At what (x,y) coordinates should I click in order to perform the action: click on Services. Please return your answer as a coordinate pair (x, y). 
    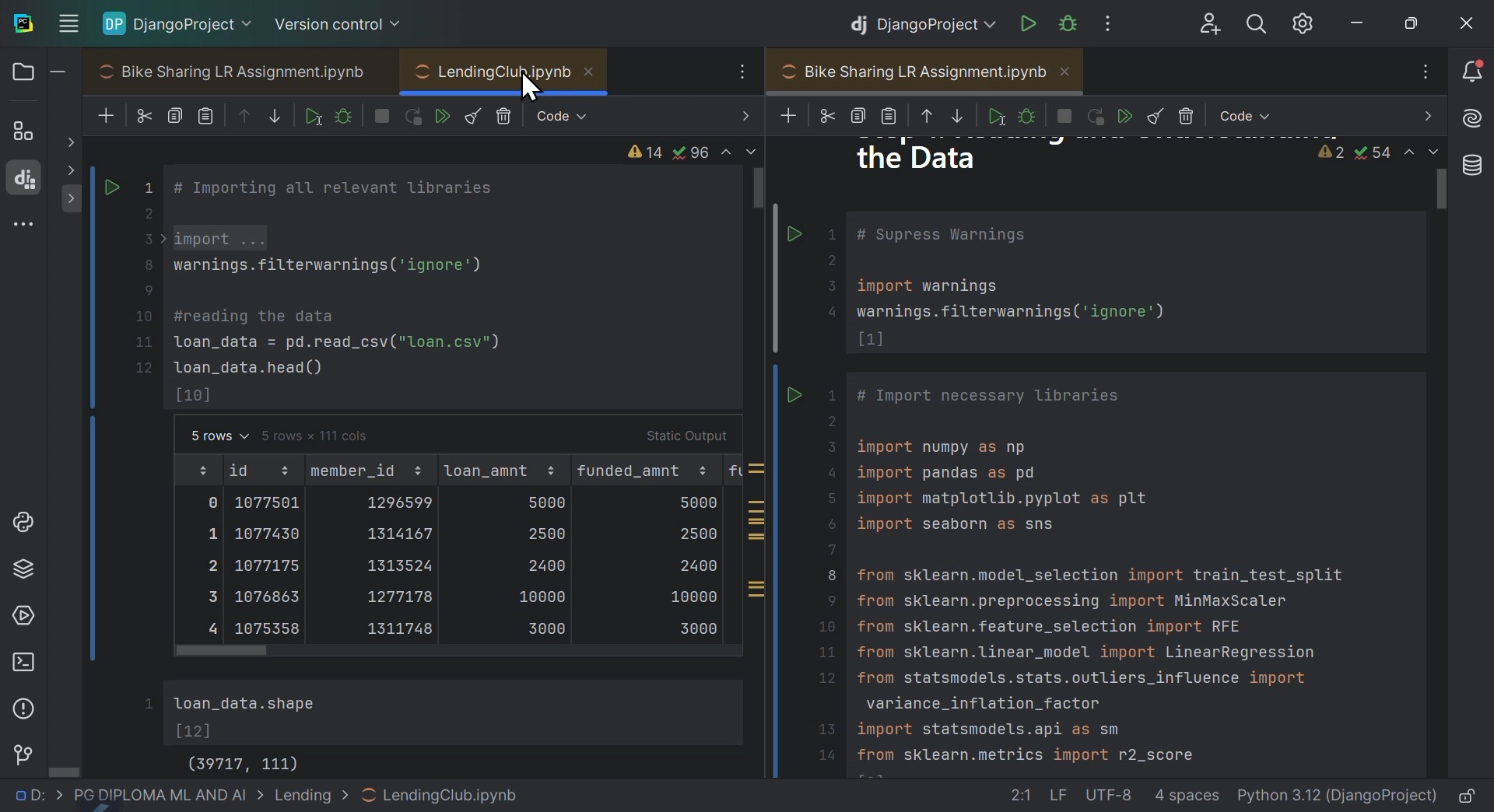
    Looking at the image, I should click on (23, 619).